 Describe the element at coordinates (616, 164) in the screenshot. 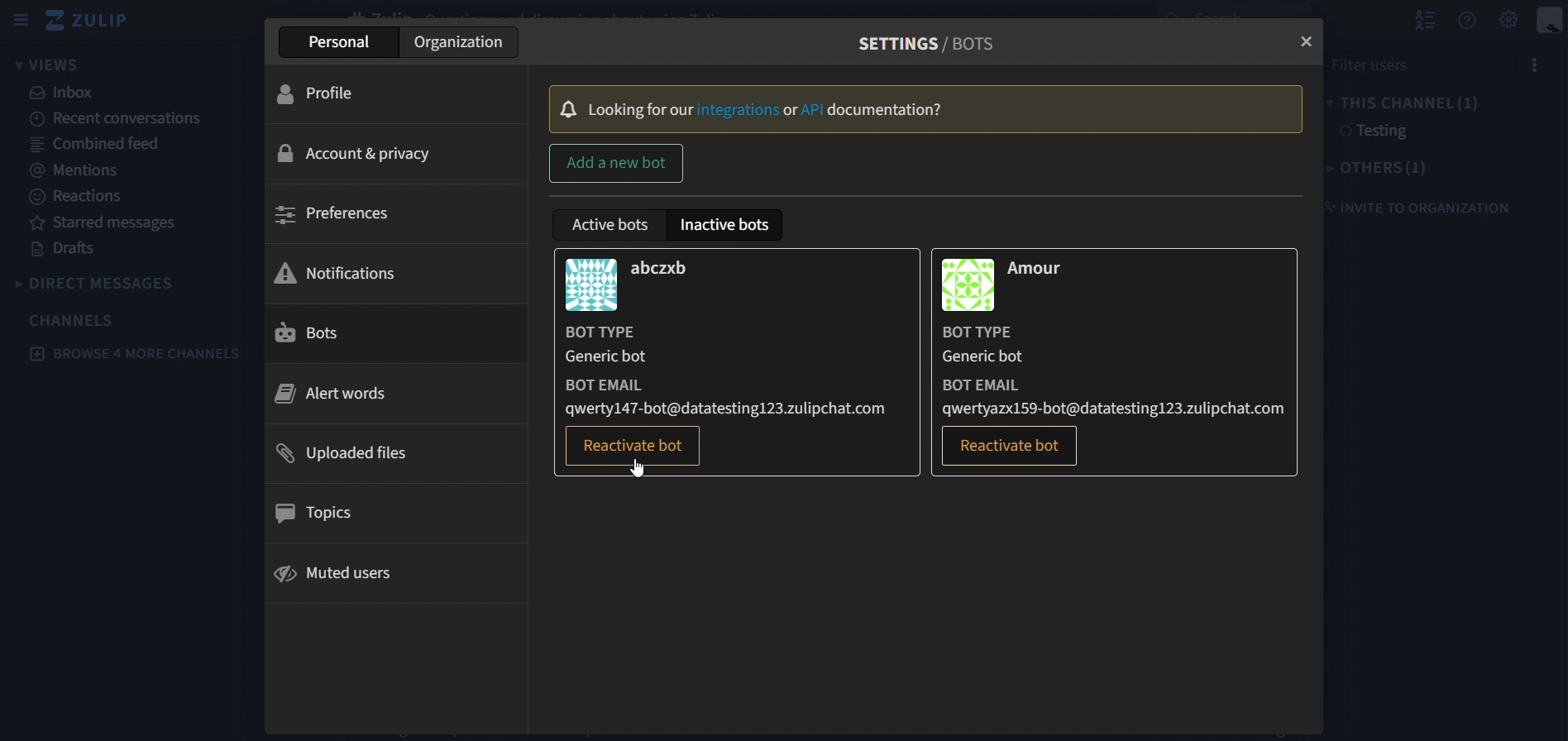

I see `add a new bot` at that location.